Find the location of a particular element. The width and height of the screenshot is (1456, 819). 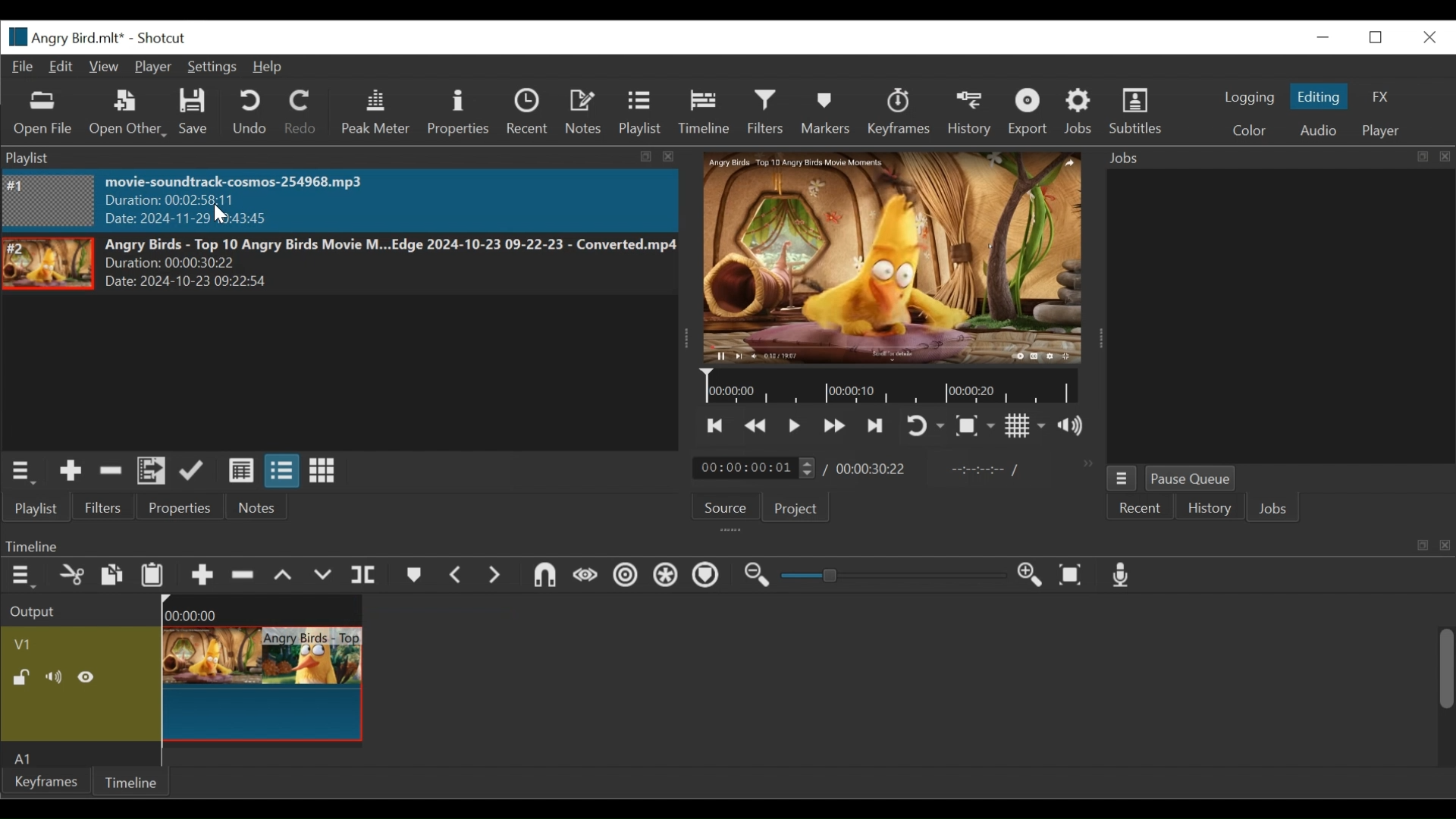

Zoom timeline to fit is located at coordinates (1073, 575).